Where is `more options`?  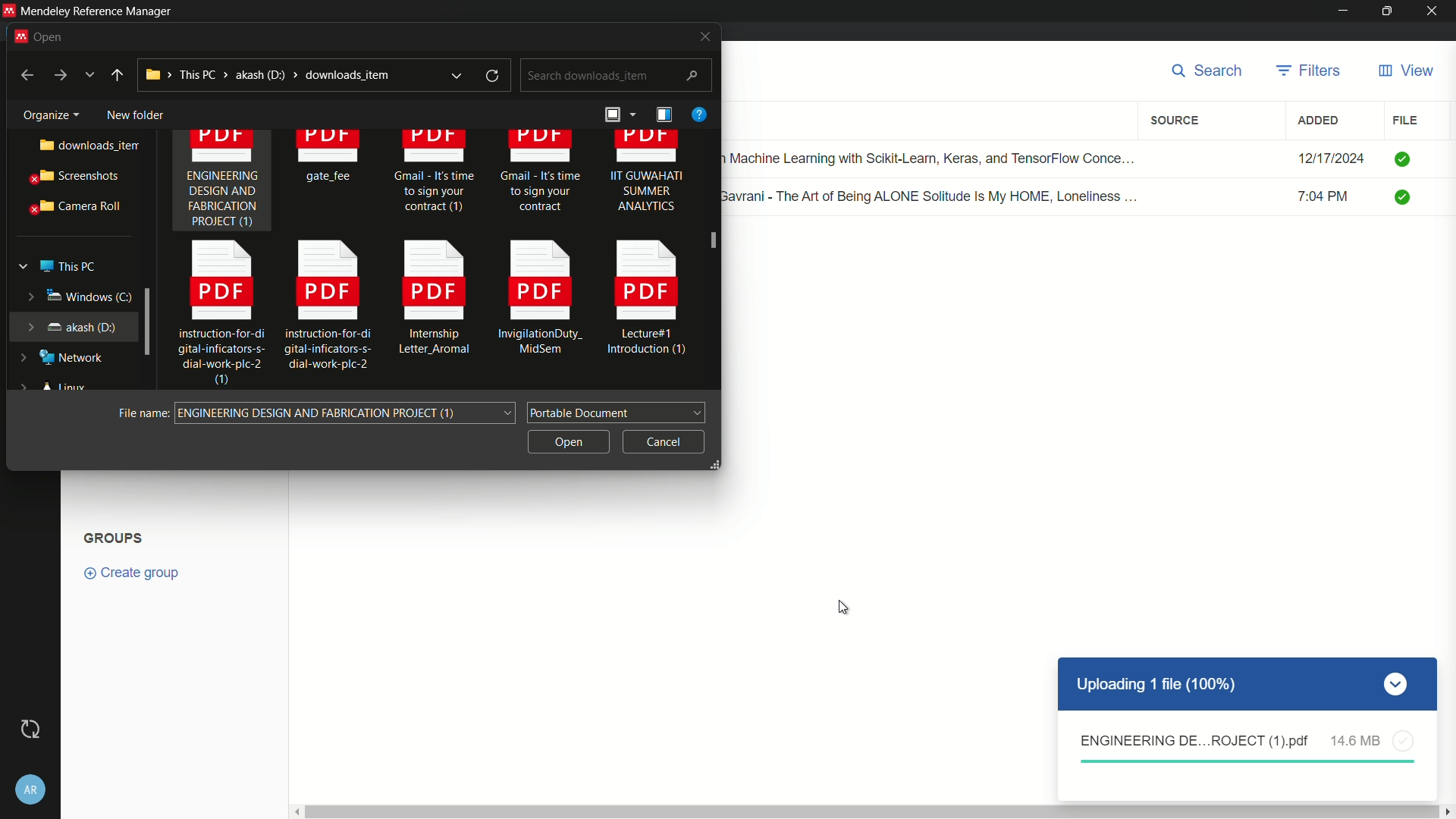 more options is located at coordinates (91, 75).